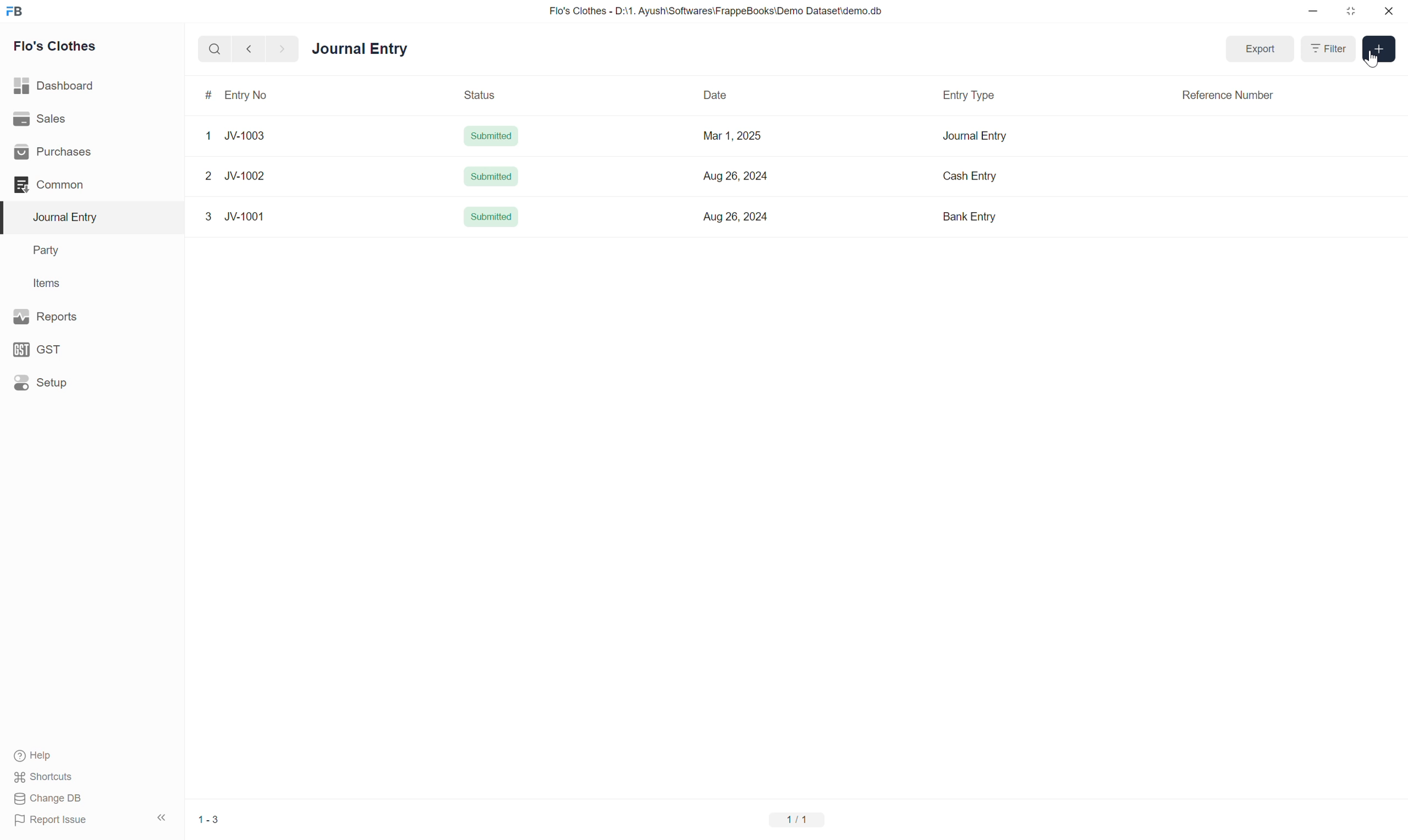 The height and width of the screenshot is (840, 1408). I want to click on Reports, so click(49, 316).